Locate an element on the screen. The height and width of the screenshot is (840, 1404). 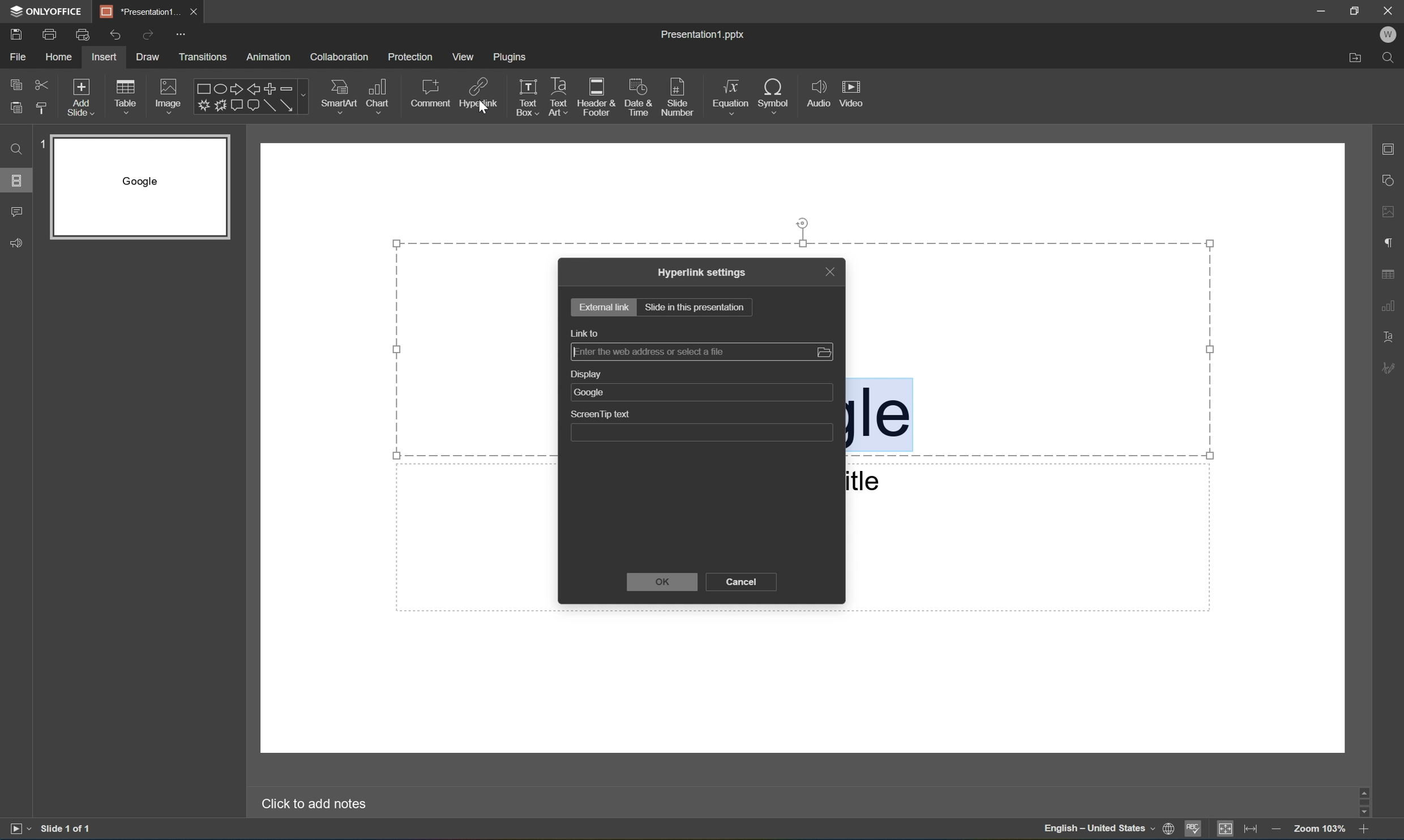
Minimize is located at coordinates (1322, 8).